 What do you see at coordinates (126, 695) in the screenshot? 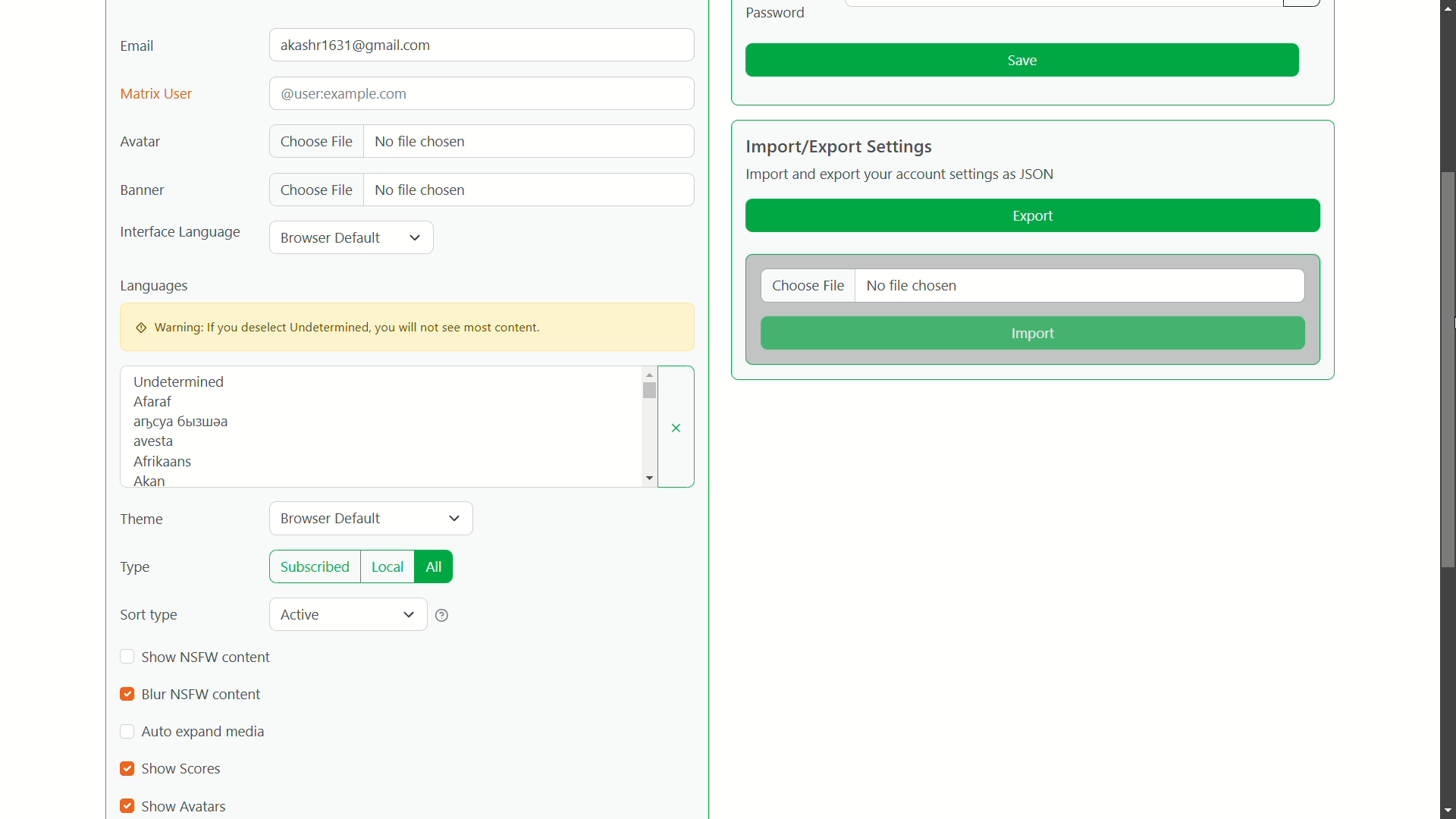
I see `checkbox` at bounding box center [126, 695].